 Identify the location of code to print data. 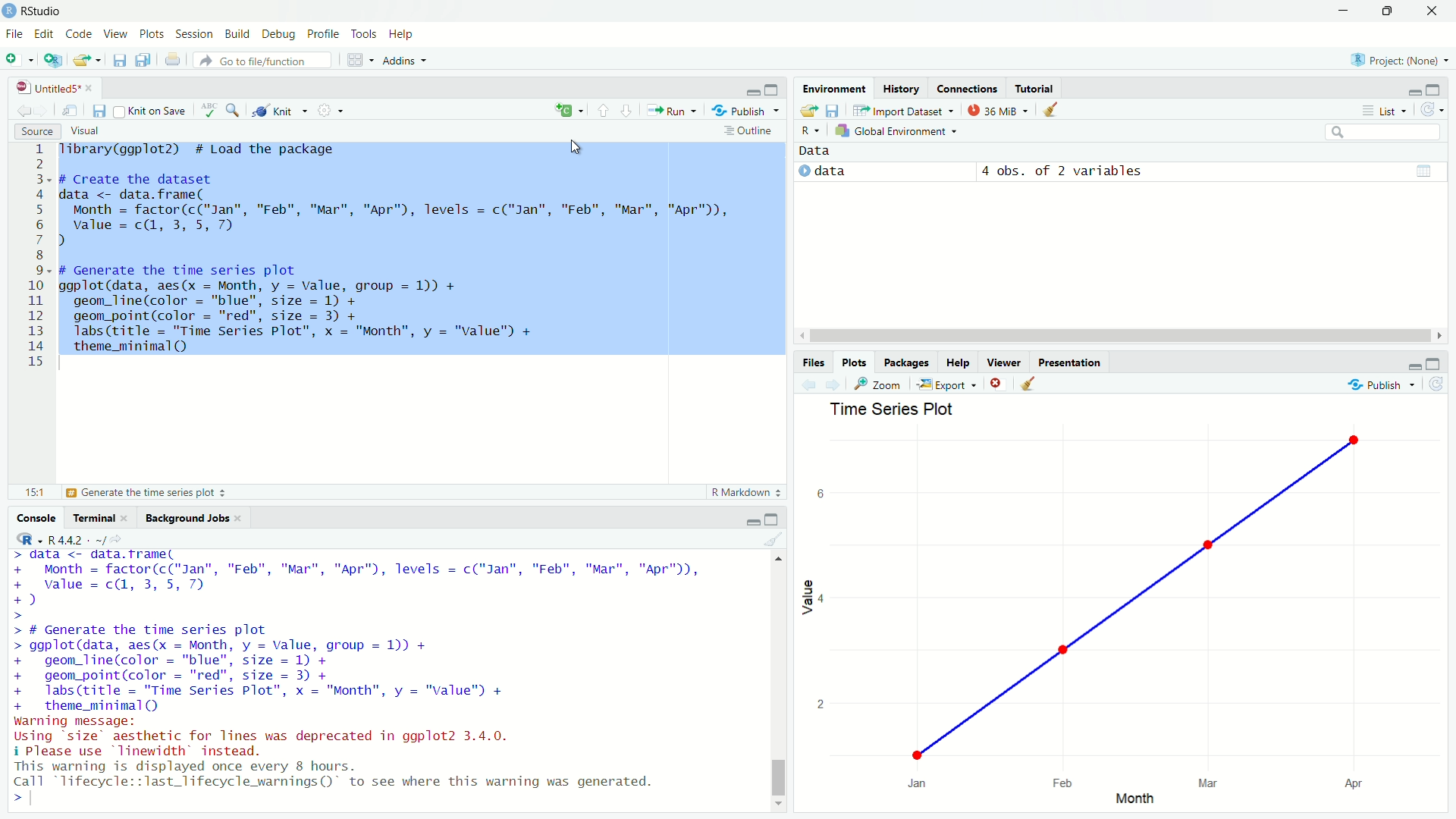
(149, 556).